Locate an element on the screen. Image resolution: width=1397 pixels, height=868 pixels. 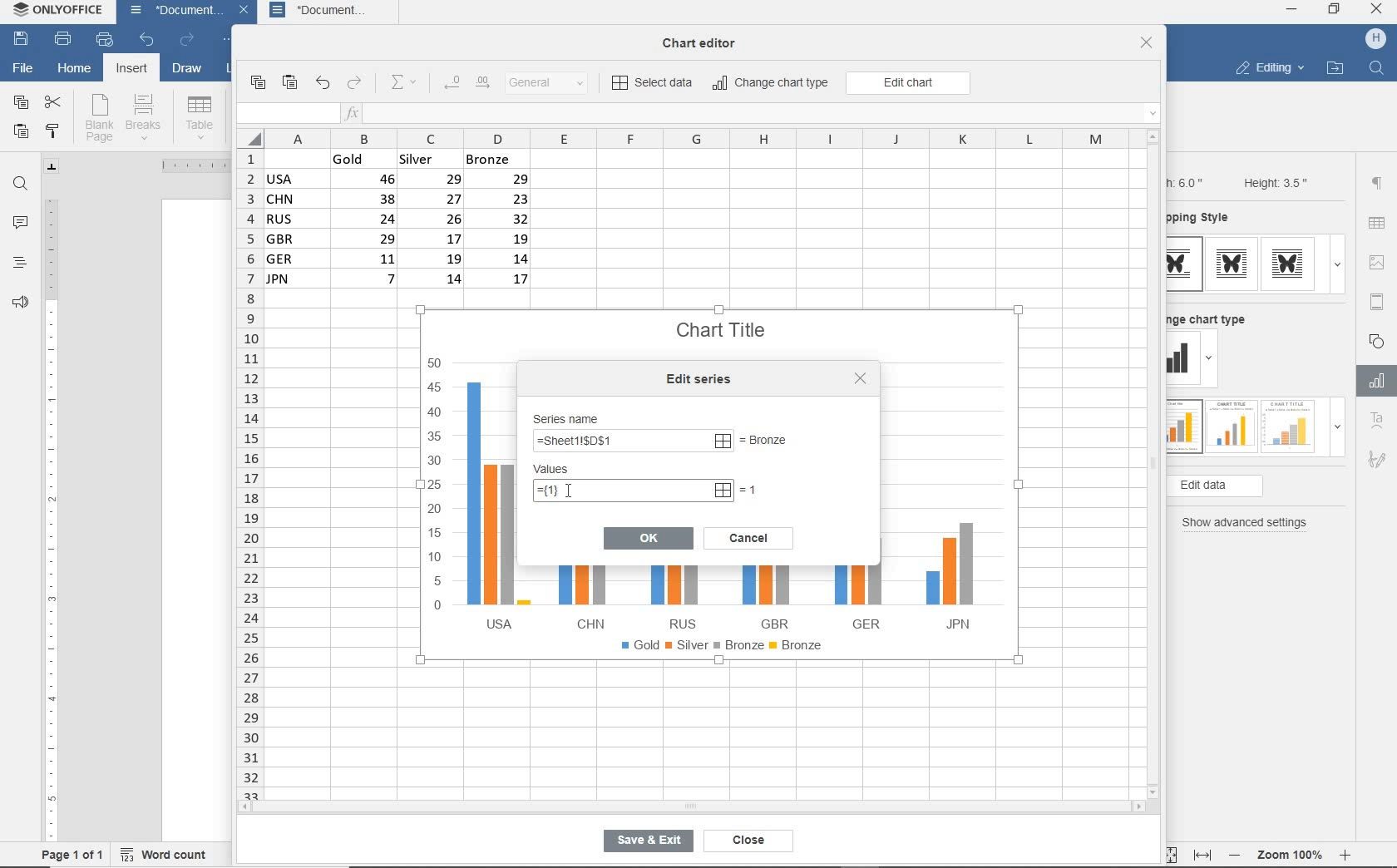
save is located at coordinates (22, 40).